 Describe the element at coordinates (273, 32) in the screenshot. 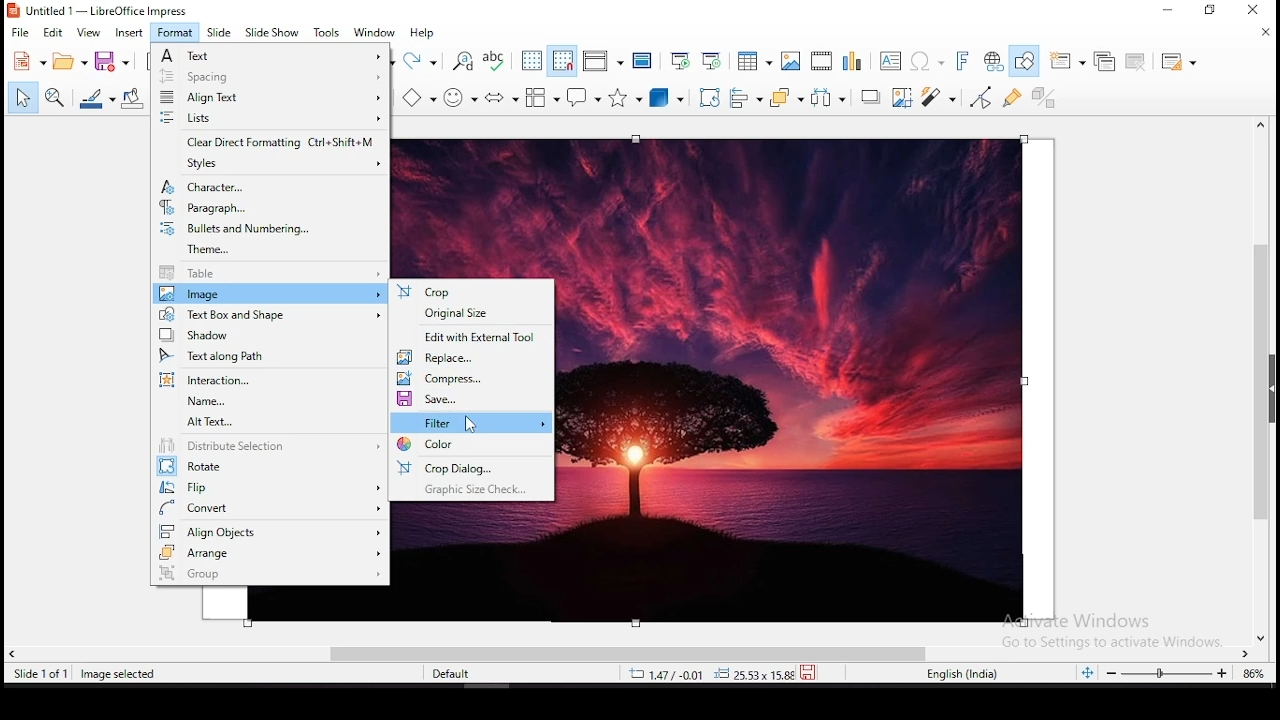

I see `slide show` at that location.